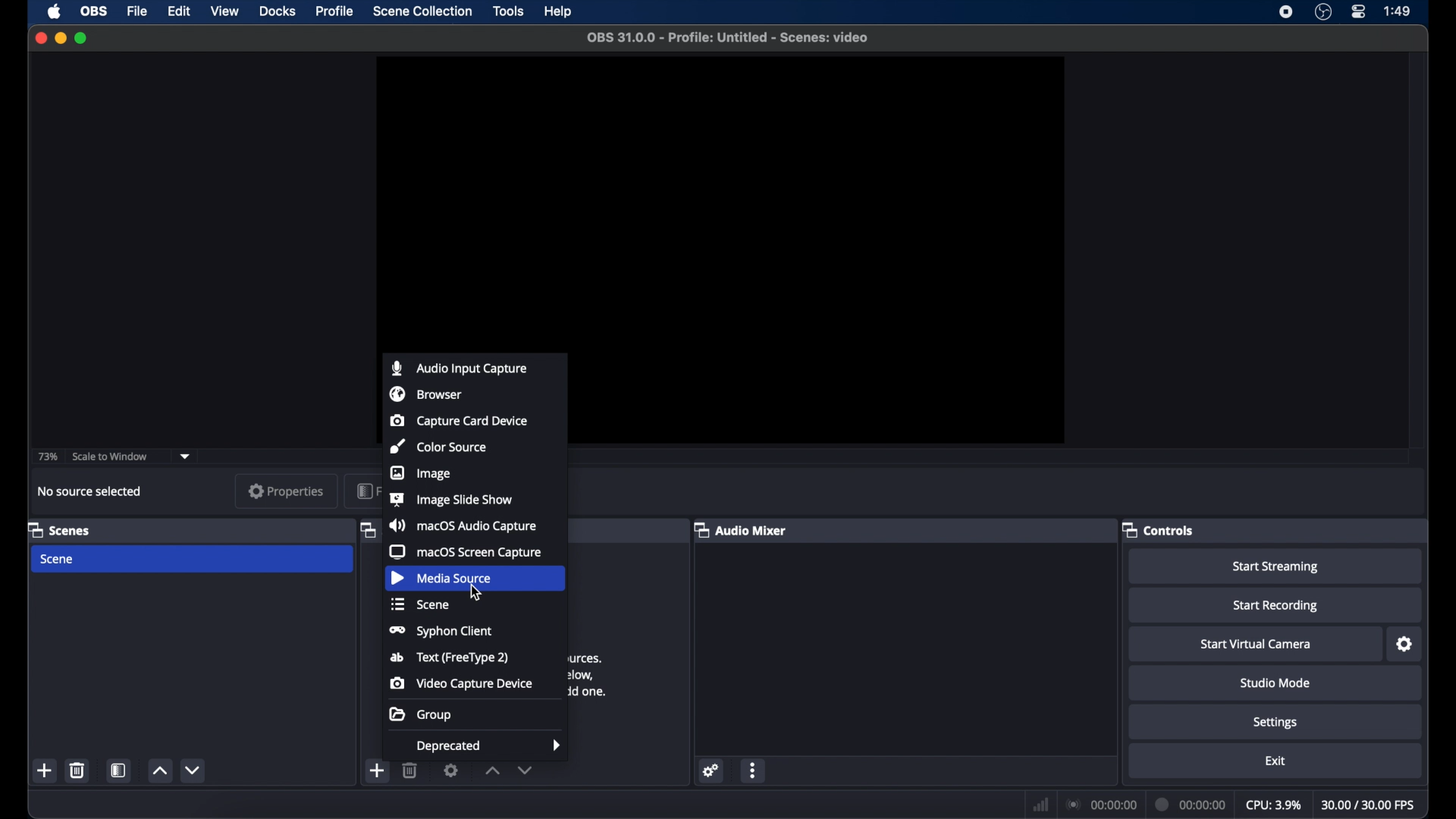  I want to click on screen recorder icon, so click(1285, 12).